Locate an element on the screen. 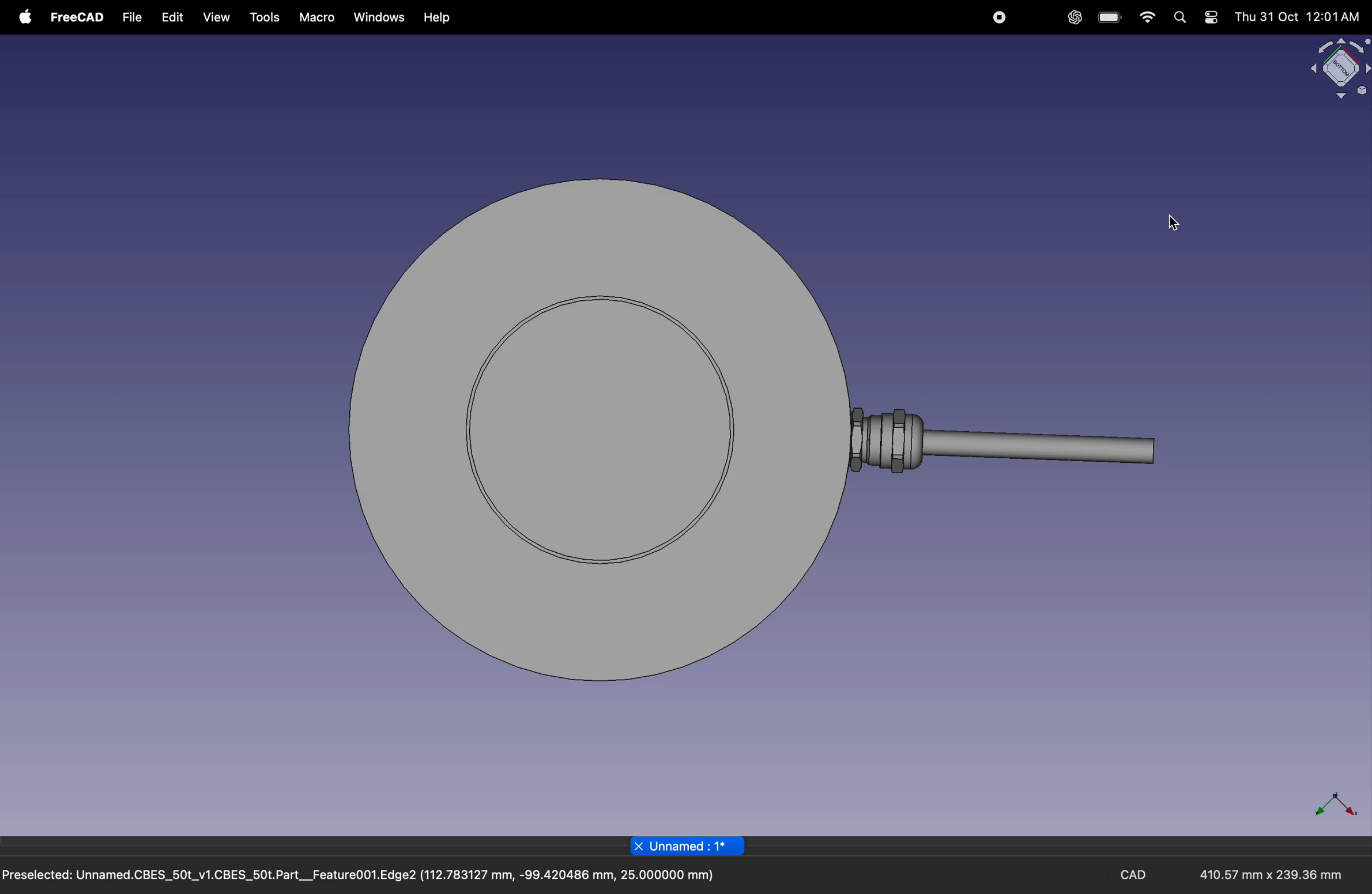 This screenshot has width=1372, height=894. 410.57 mm x 239.36 mm is located at coordinates (1269, 874).